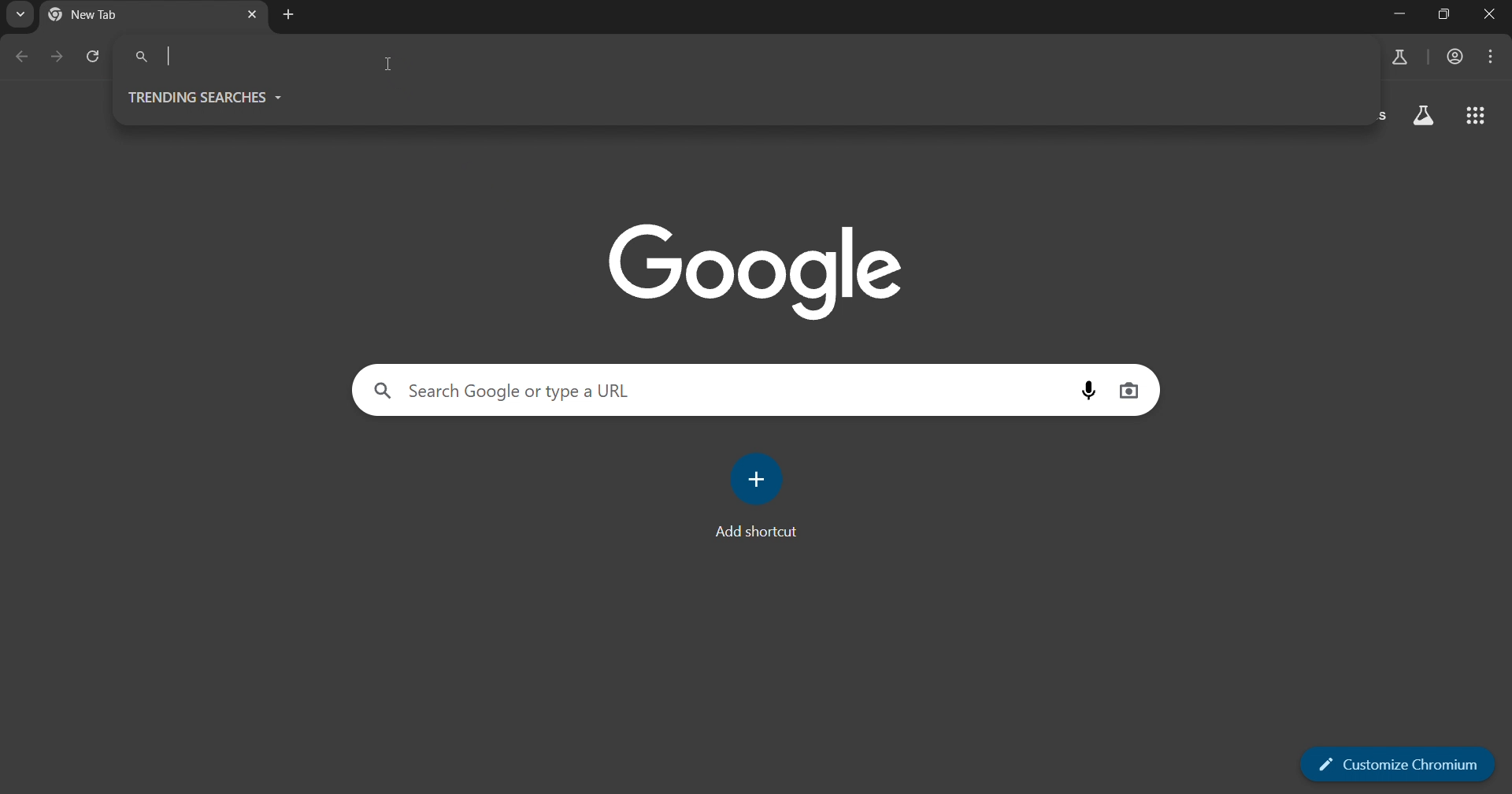  Describe the element at coordinates (757, 266) in the screenshot. I see `google` at that location.